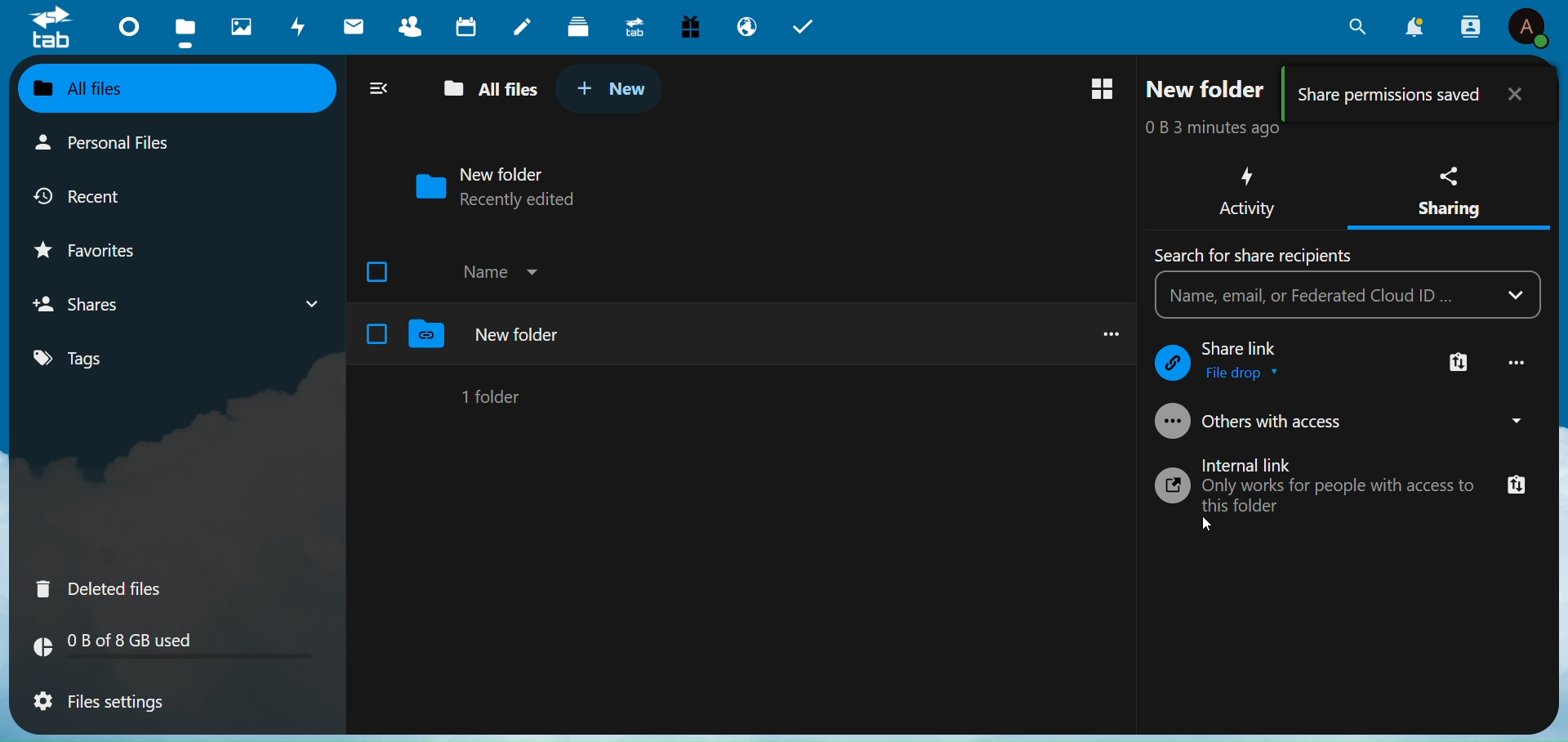 This screenshot has height=742, width=1568. I want to click on Cursor, so click(1209, 525).